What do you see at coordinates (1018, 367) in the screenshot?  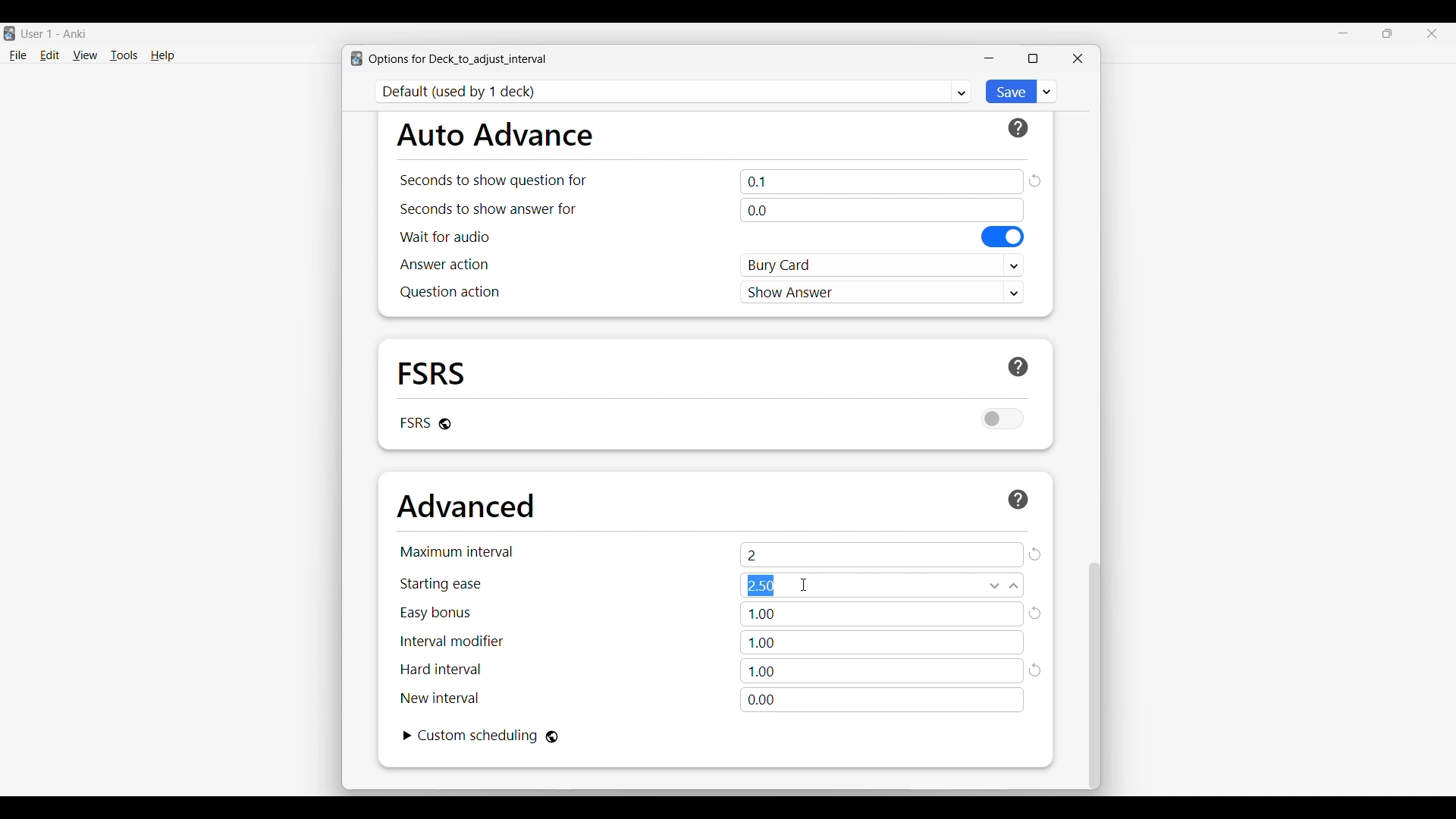 I see `Learn more about FSRS` at bounding box center [1018, 367].